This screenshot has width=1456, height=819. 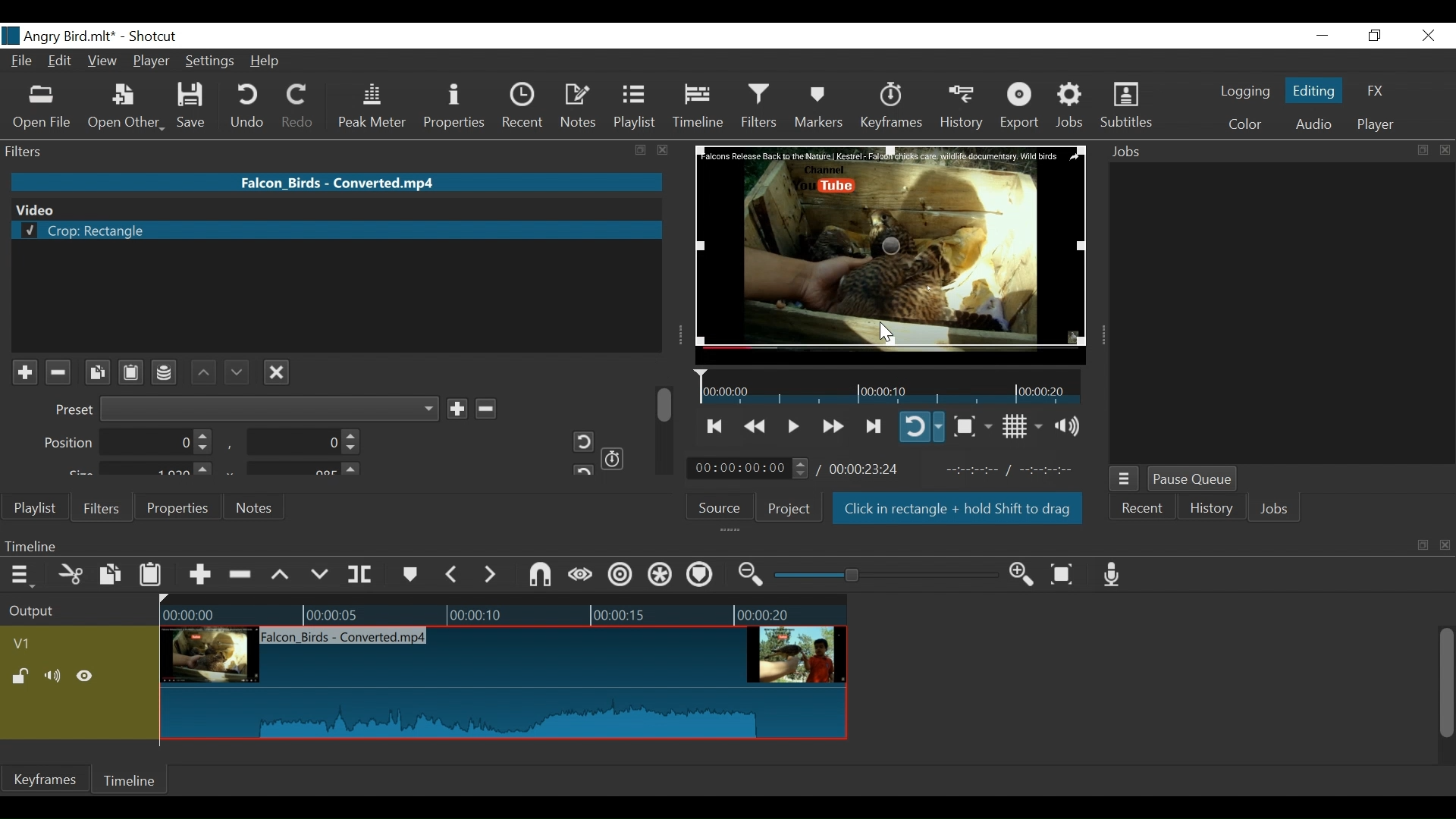 What do you see at coordinates (375, 107) in the screenshot?
I see `Peak Meter` at bounding box center [375, 107].